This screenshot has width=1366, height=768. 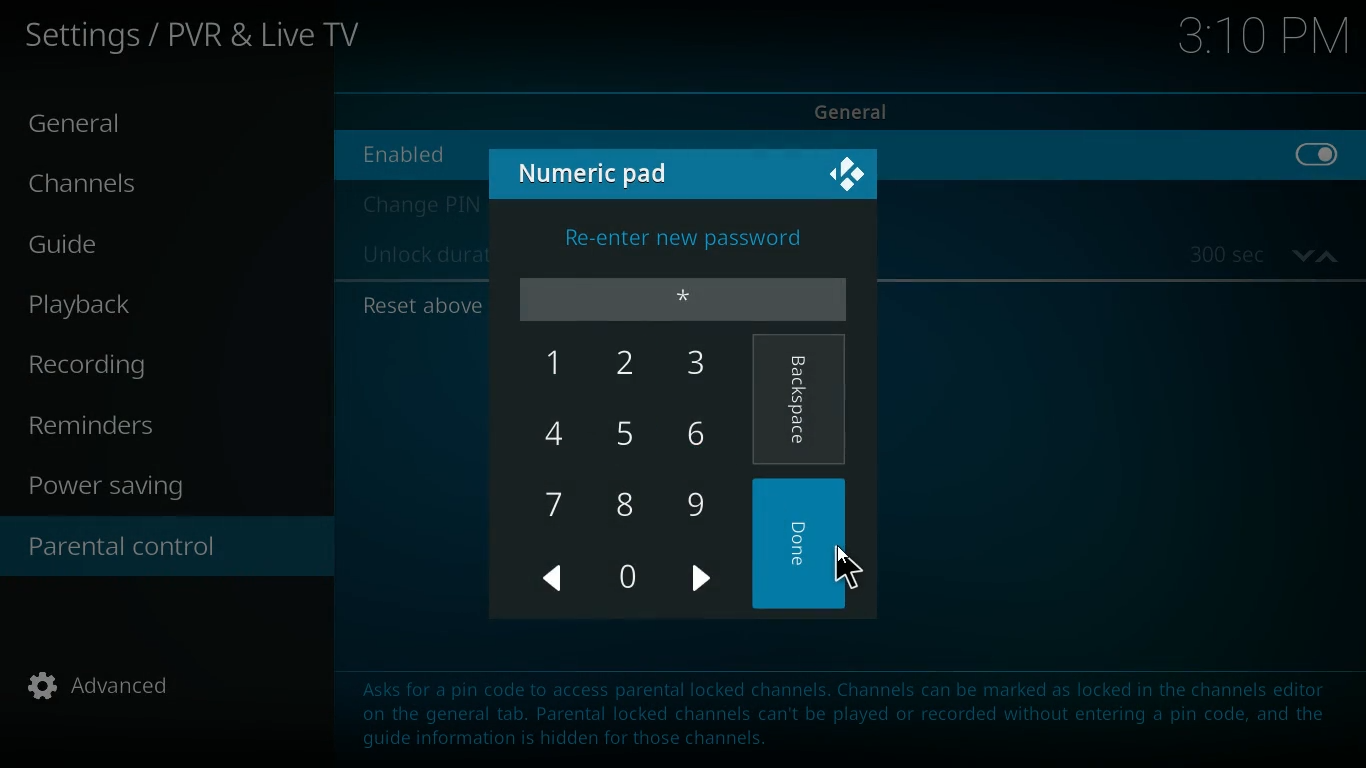 I want to click on 1, so click(x=553, y=362).